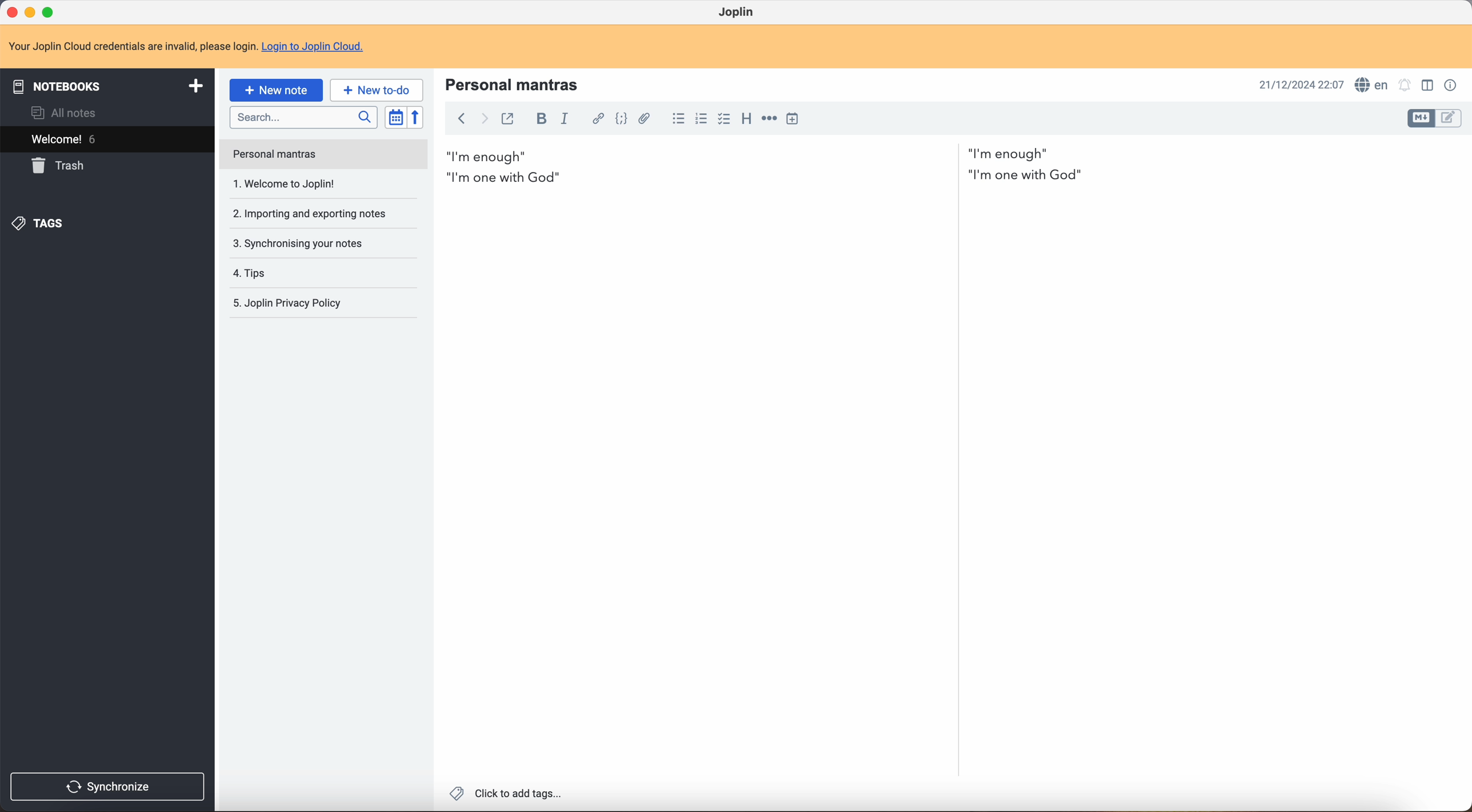 This screenshot has width=1472, height=812. What do you see at coordinates (315, 217) in the screenshot?
I see `synchronising your notes` at bounding box center [315, 217].